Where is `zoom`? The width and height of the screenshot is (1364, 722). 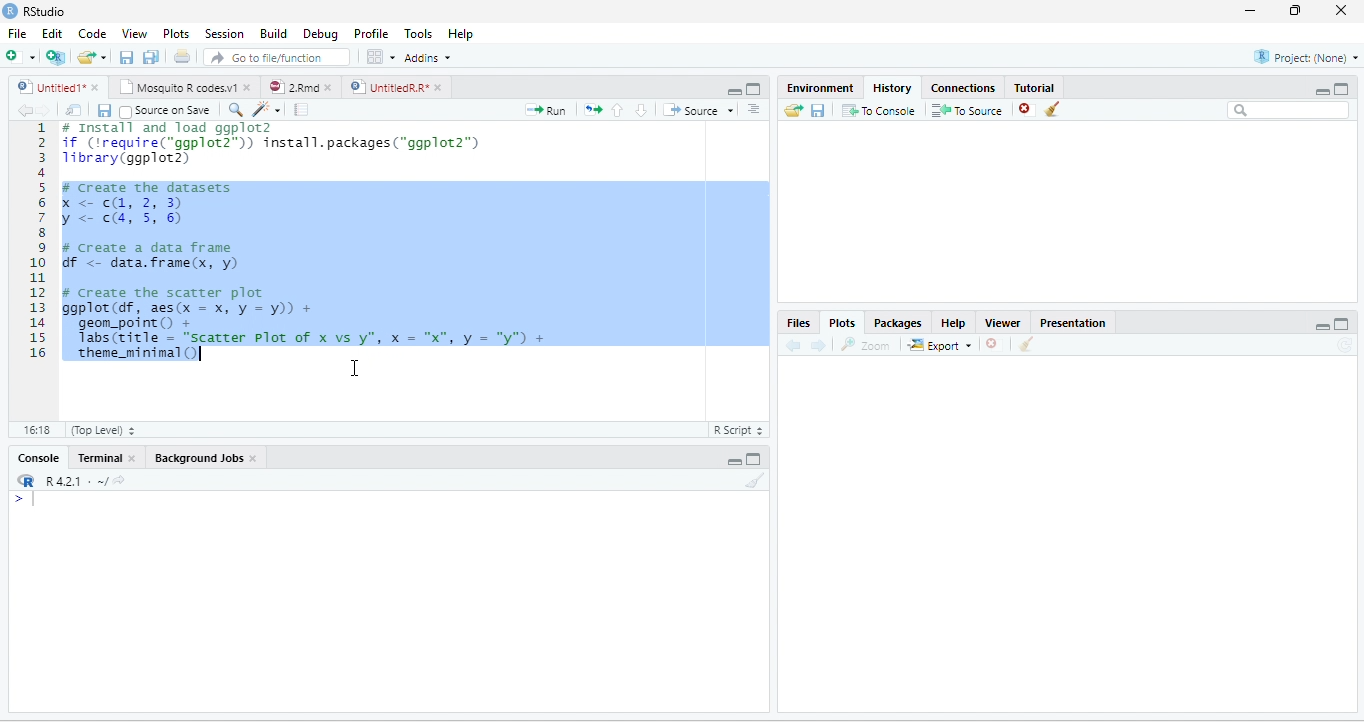
zoom is located at coordinates (866, 344).